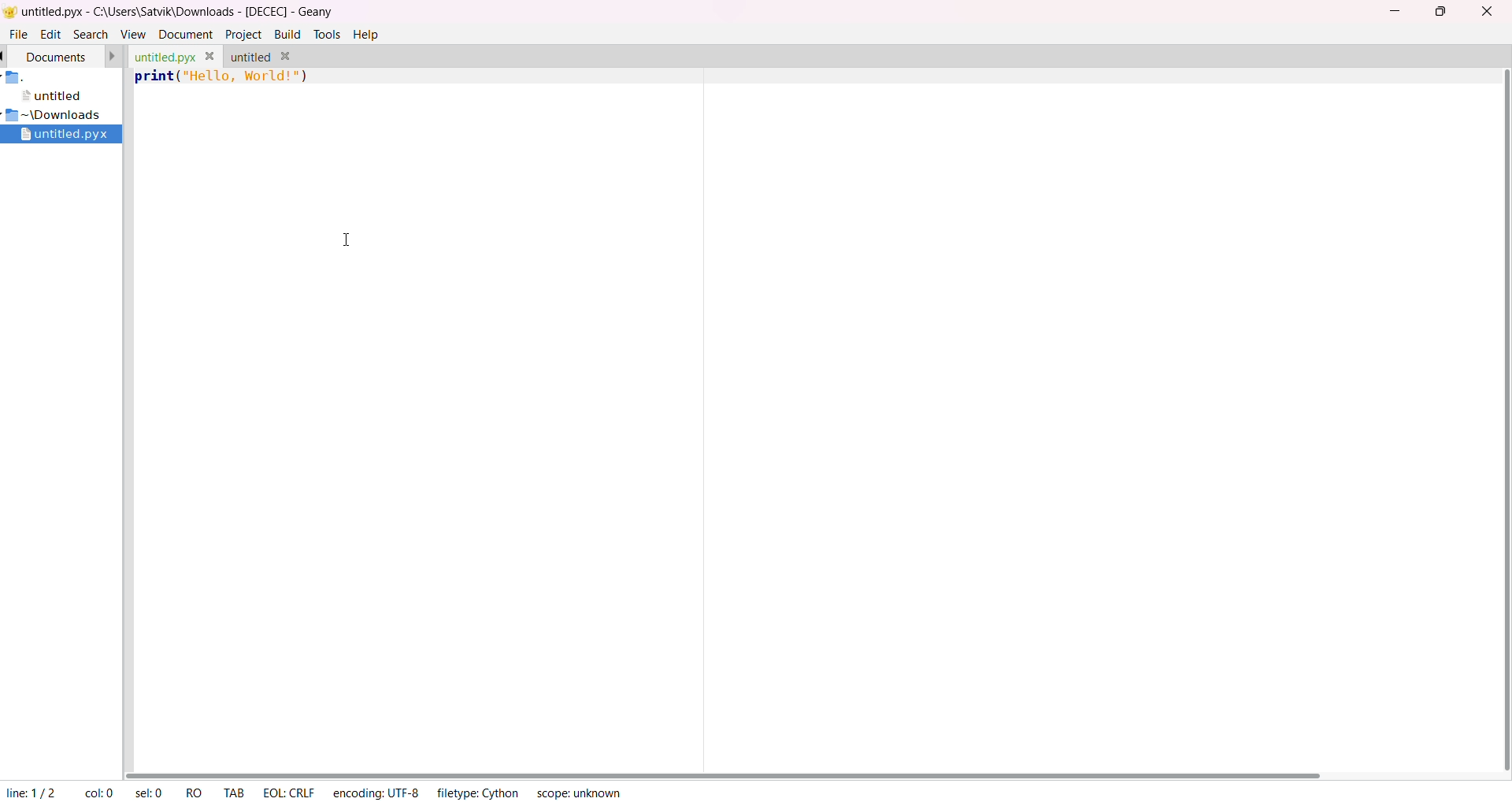  What do you see at coordinates (366, 34) in the screenshot?
I see `help` at bounding box center [366, 34].